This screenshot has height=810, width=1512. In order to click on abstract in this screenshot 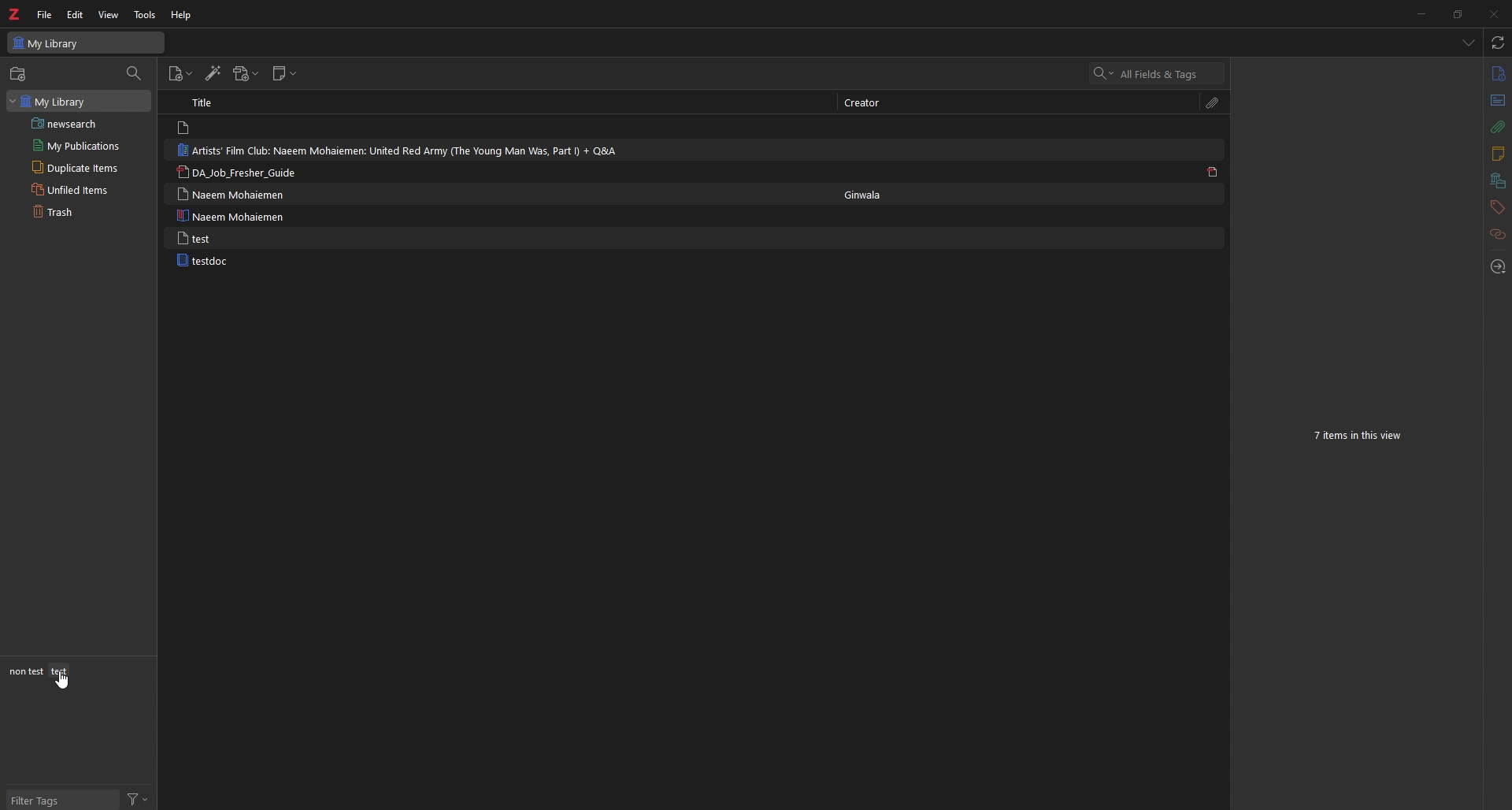, I will do `click(1499, 100)`.